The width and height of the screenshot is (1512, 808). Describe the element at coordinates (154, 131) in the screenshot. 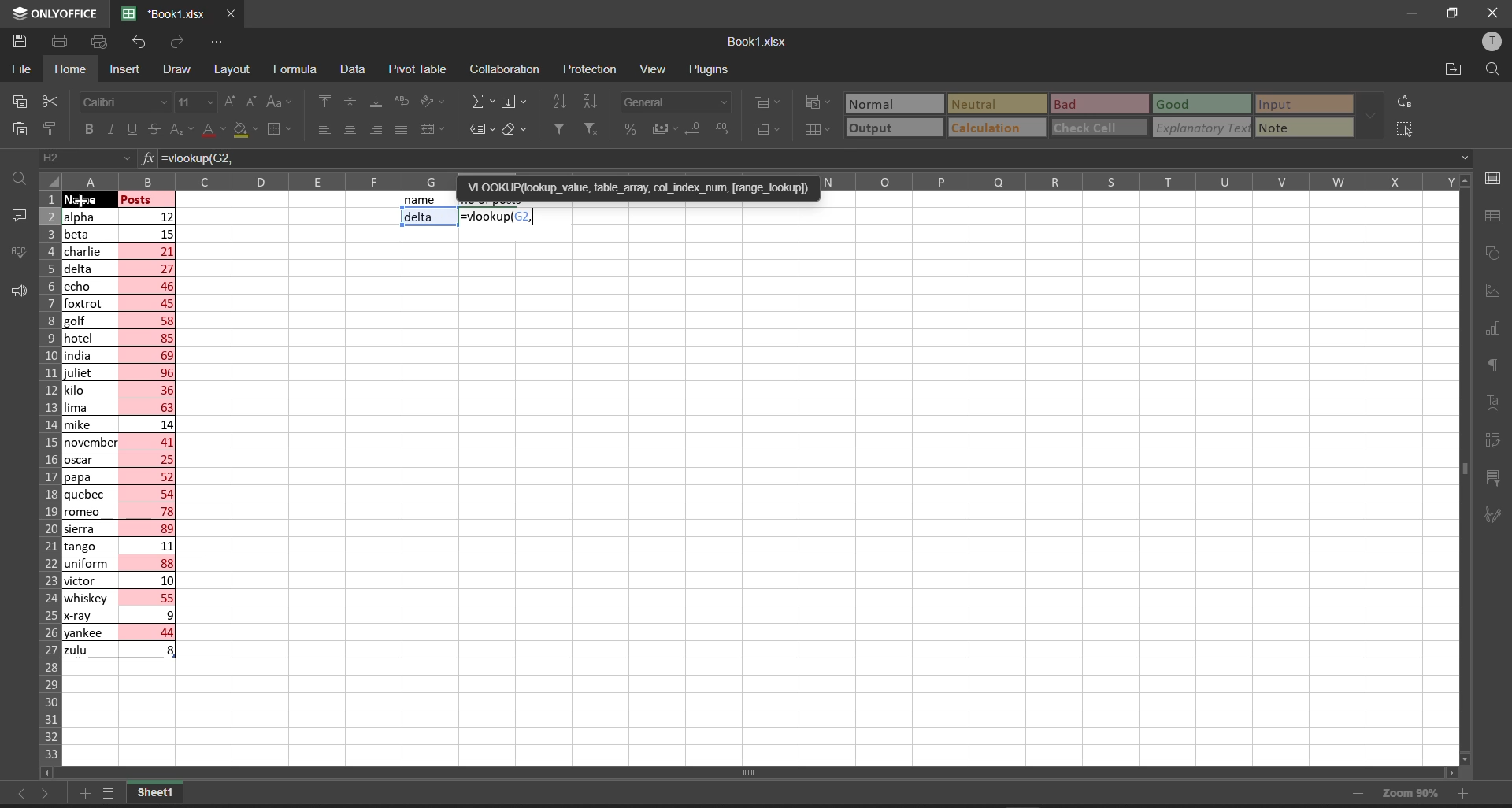

I see `strikethrough` at that location.